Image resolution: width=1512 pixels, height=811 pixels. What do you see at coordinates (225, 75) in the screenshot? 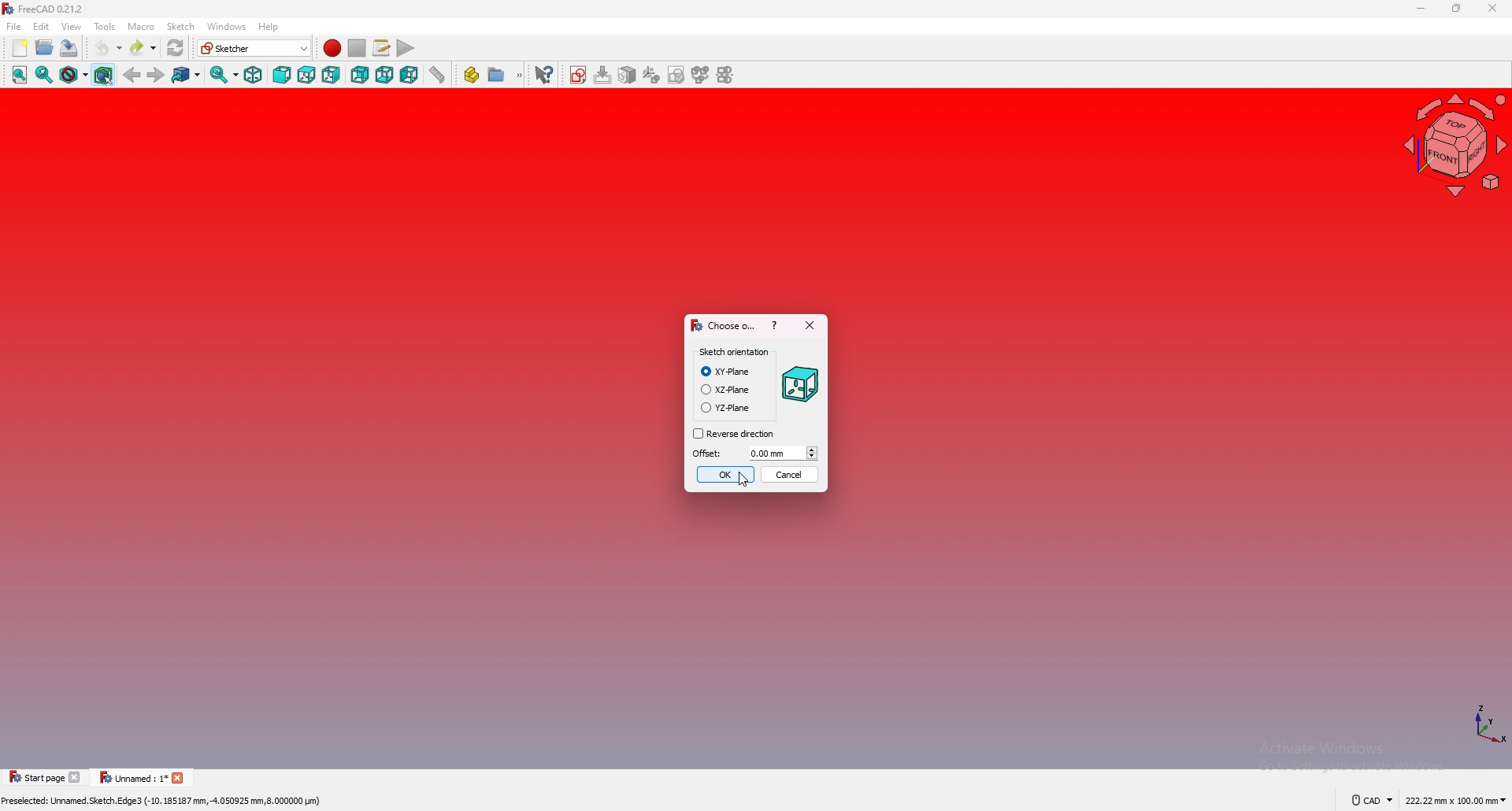
I see `synced view` at bounding box center [225, 75].